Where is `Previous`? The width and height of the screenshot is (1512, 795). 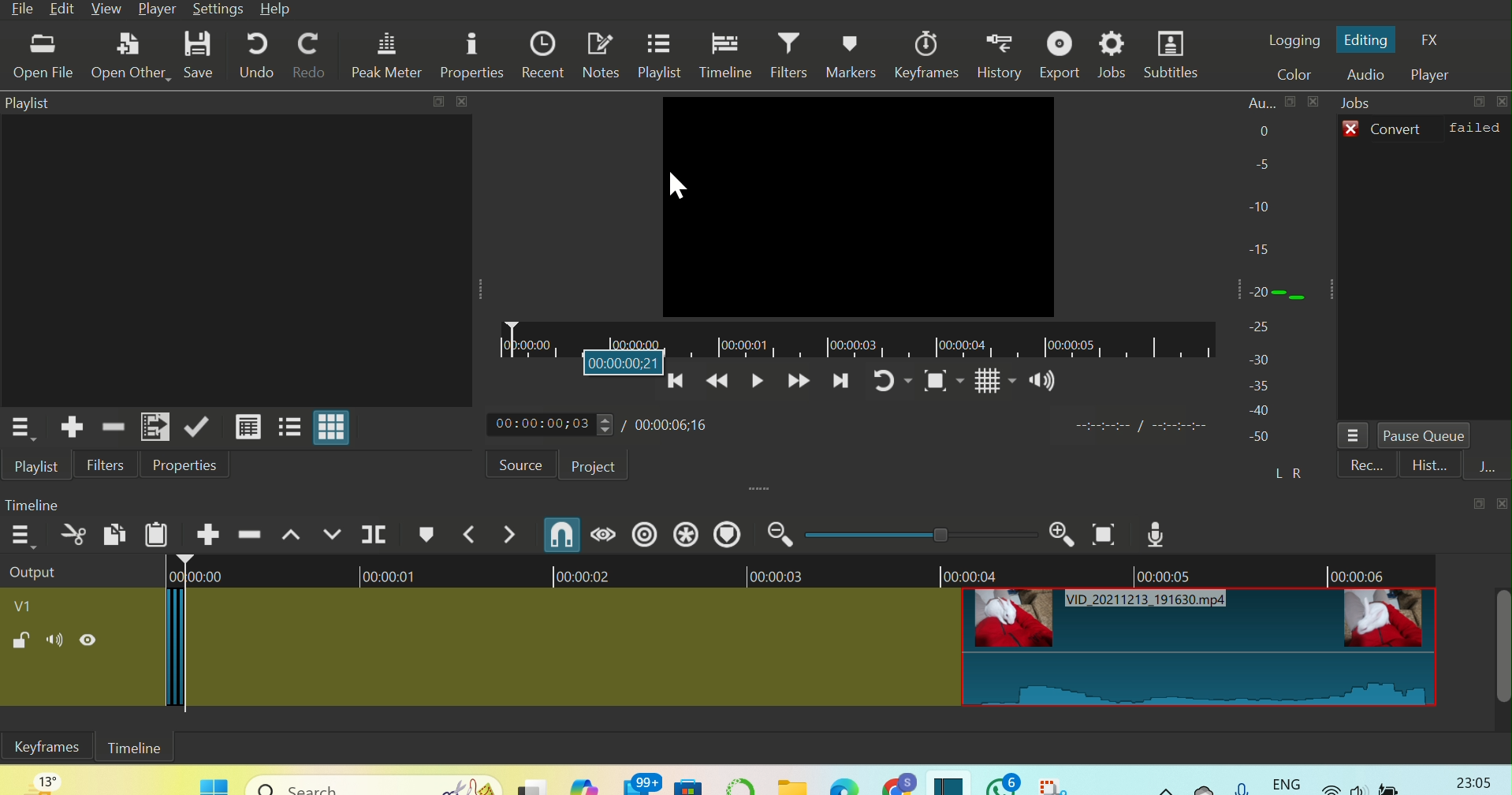
Previous is located at coordinates (678, 390).